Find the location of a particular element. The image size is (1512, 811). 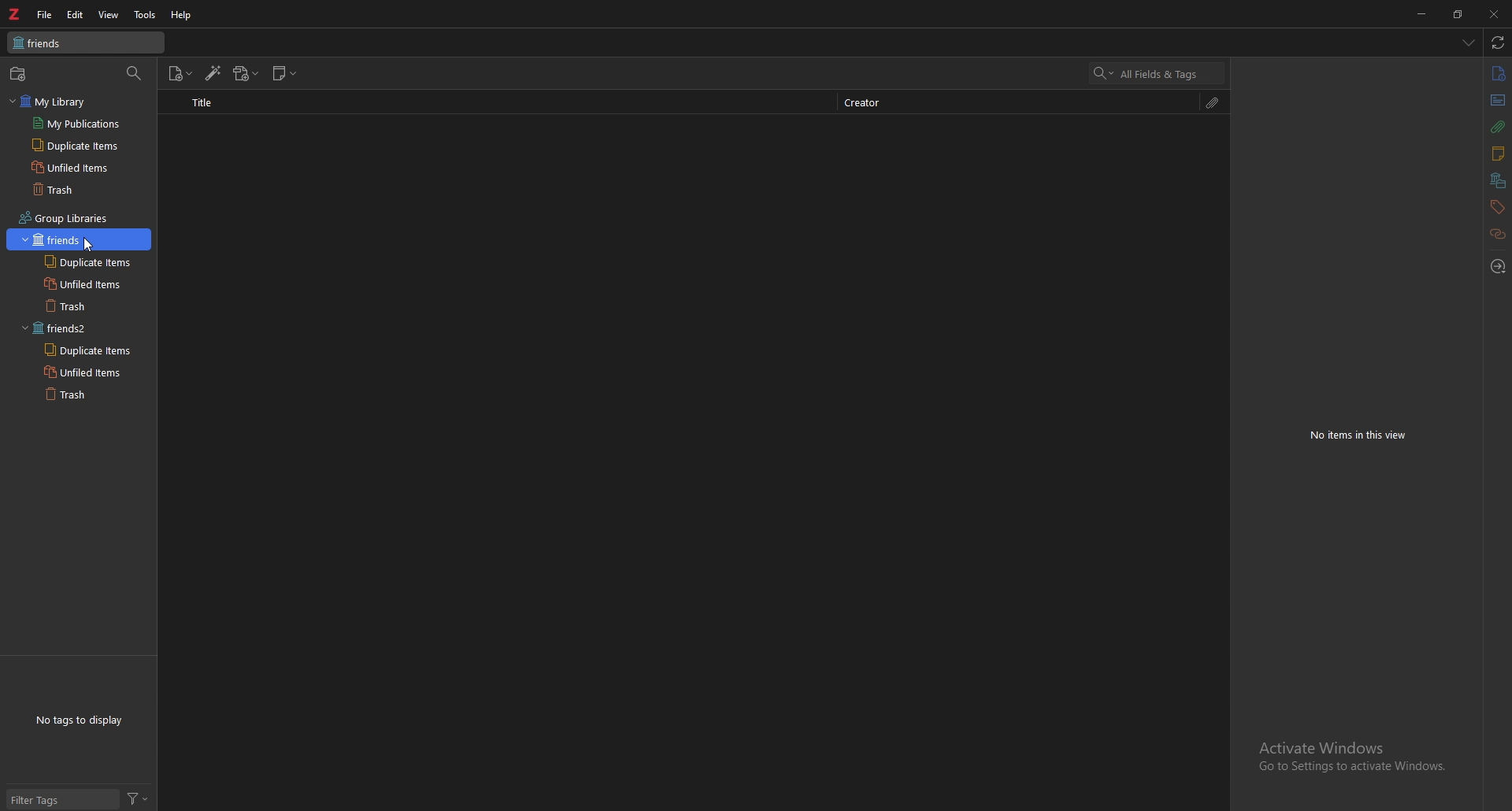

duplicate items is located at coordinates (88, 263).